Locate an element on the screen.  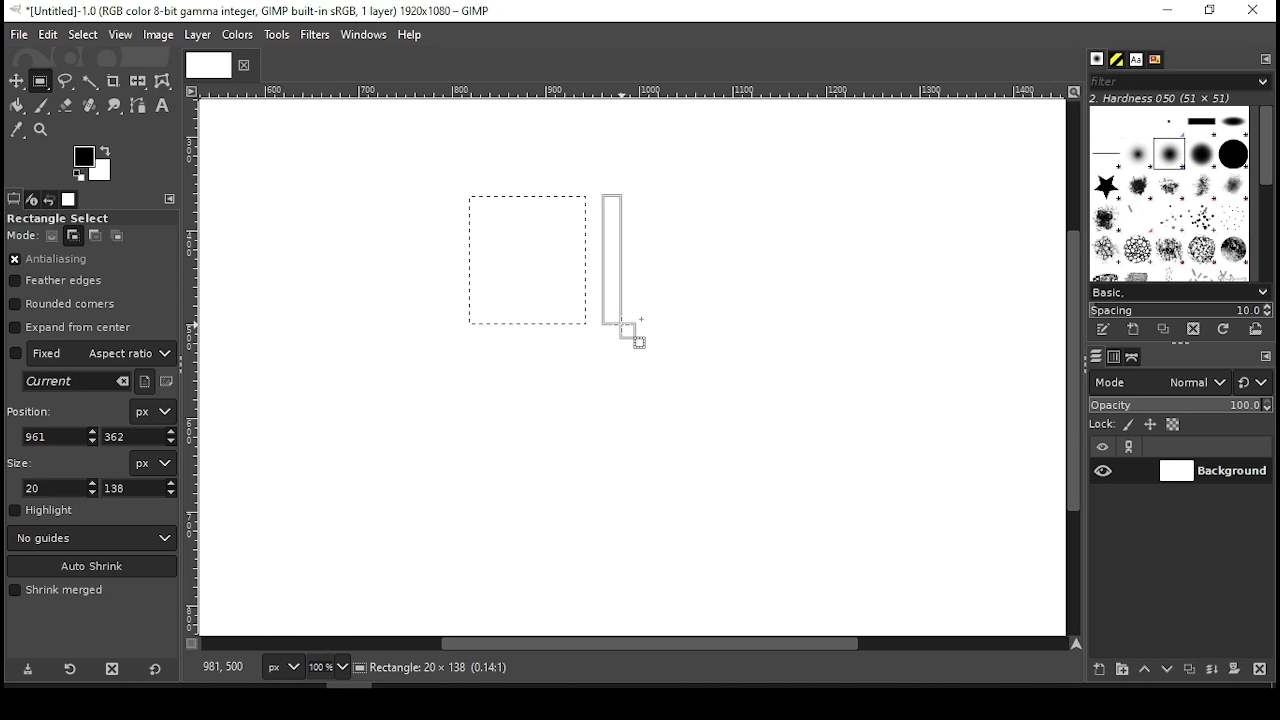
subtract from the current selection is located at coordinates (94, 236).